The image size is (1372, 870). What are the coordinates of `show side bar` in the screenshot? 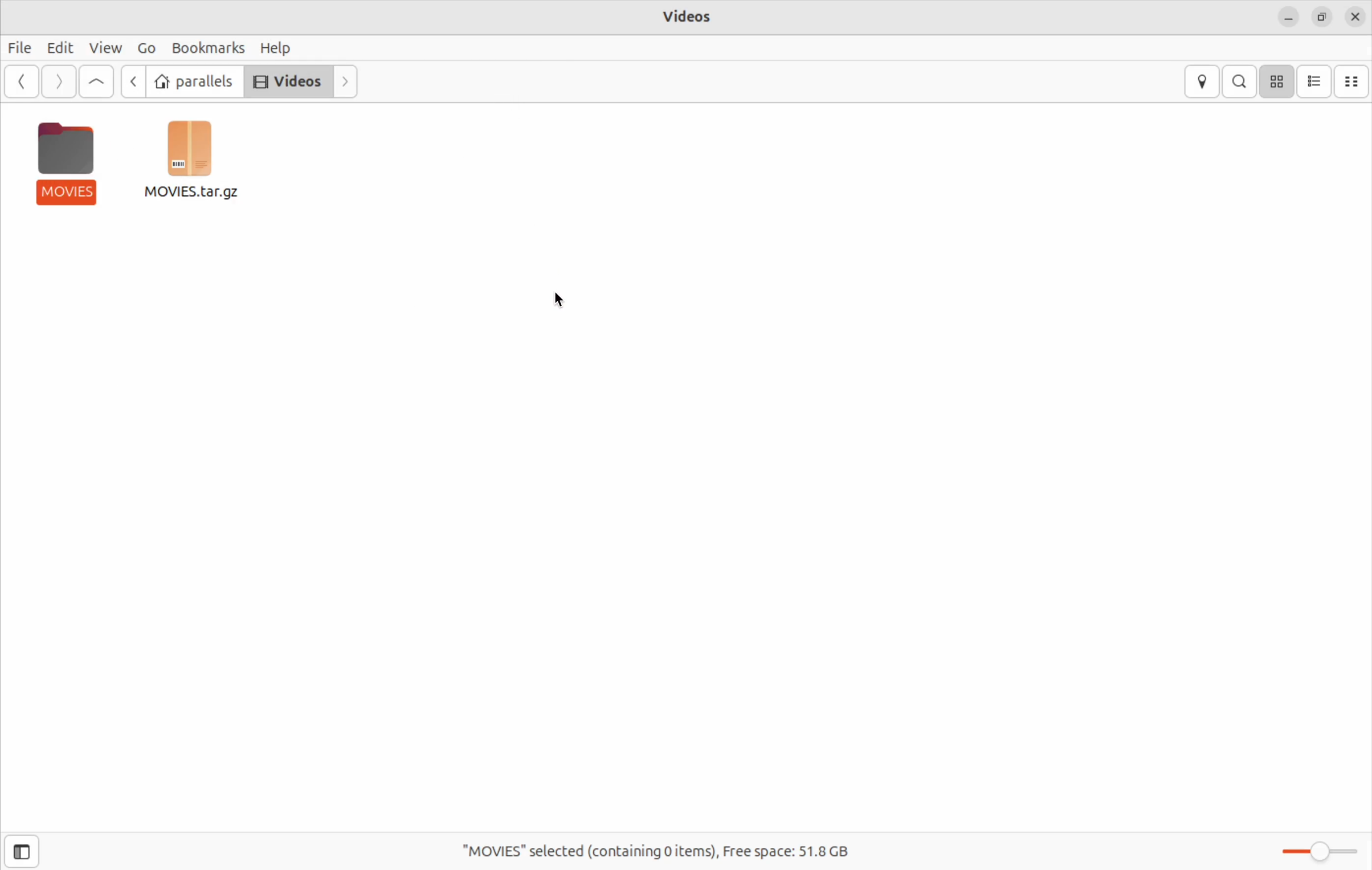 It's located at (22, 852).